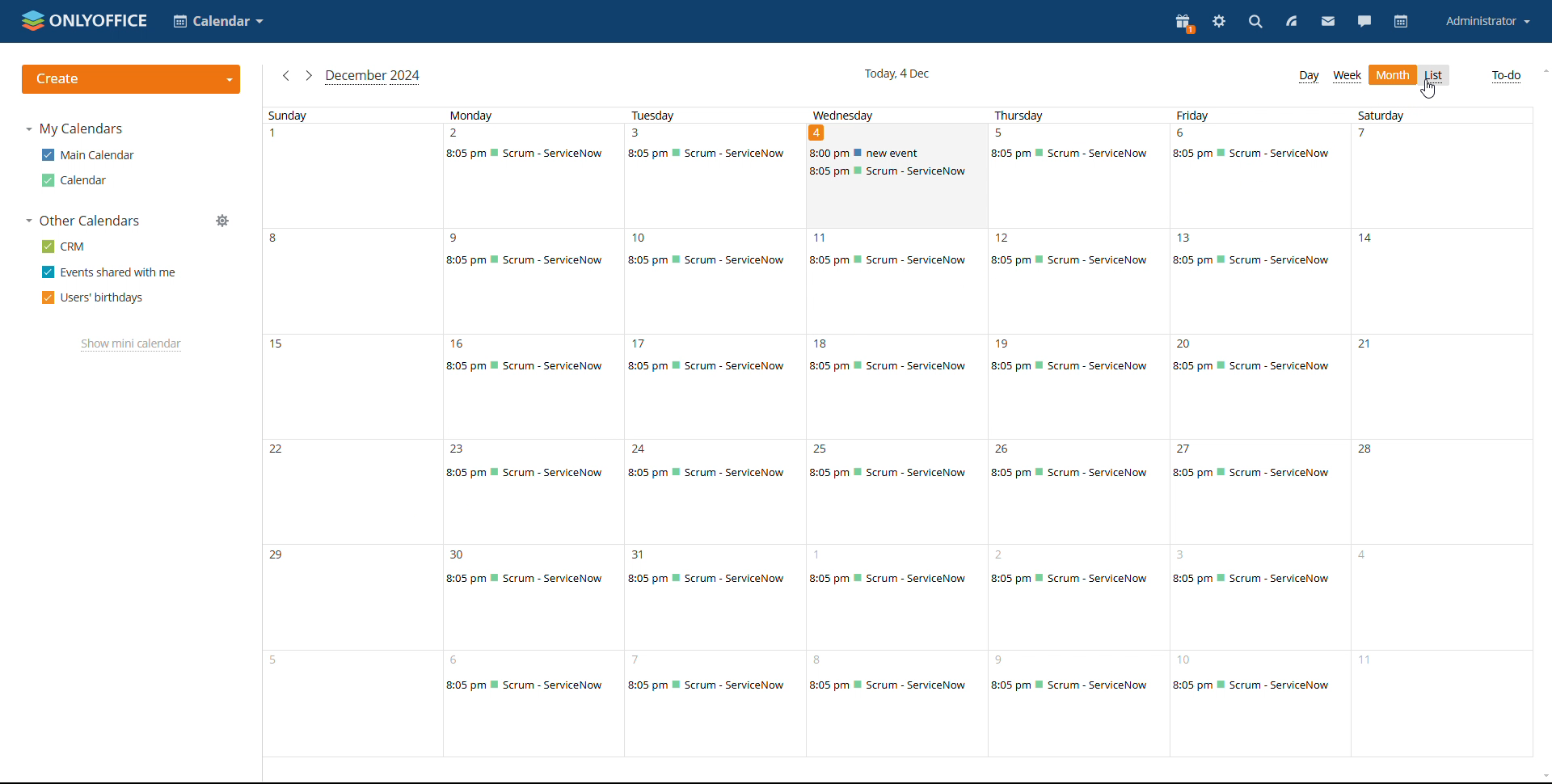 This screenshot has height=784, width=1552. Describe the element at coordinates (1506, 76) in the screenshot. I see `to-do` at that location.